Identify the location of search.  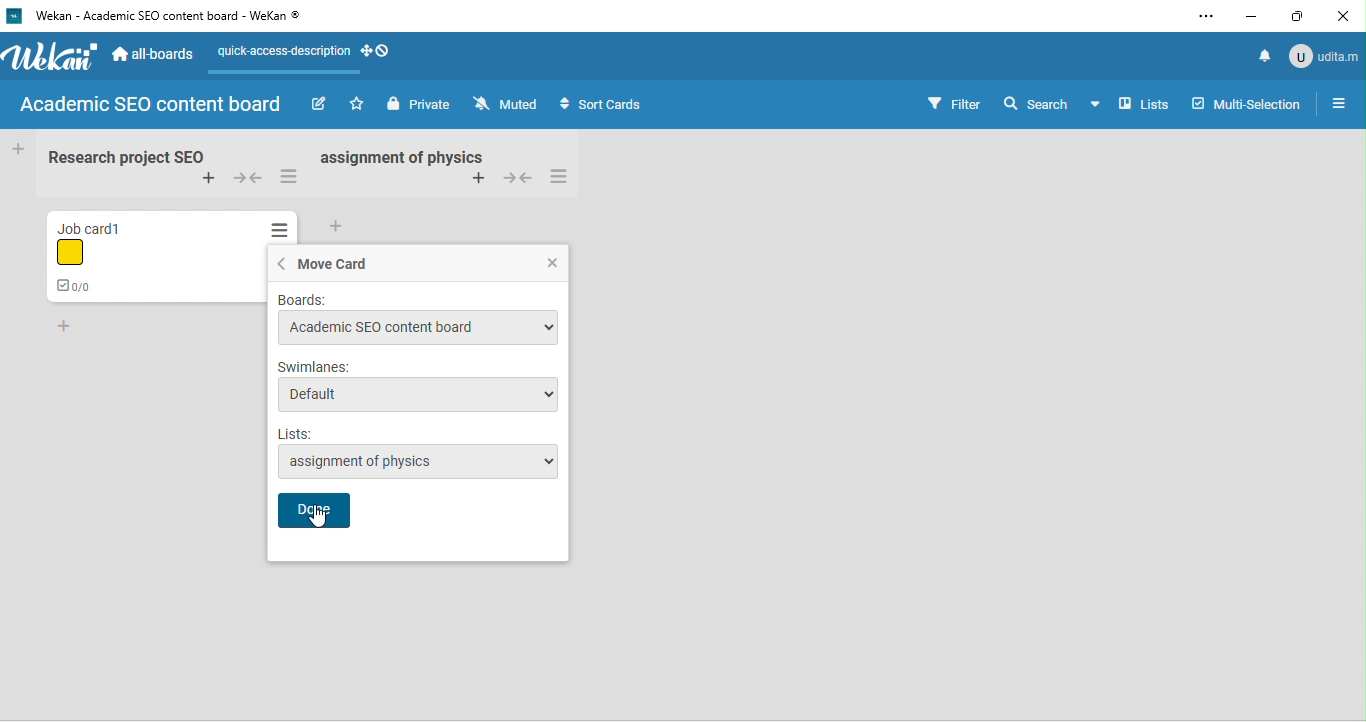
(1033, 103).